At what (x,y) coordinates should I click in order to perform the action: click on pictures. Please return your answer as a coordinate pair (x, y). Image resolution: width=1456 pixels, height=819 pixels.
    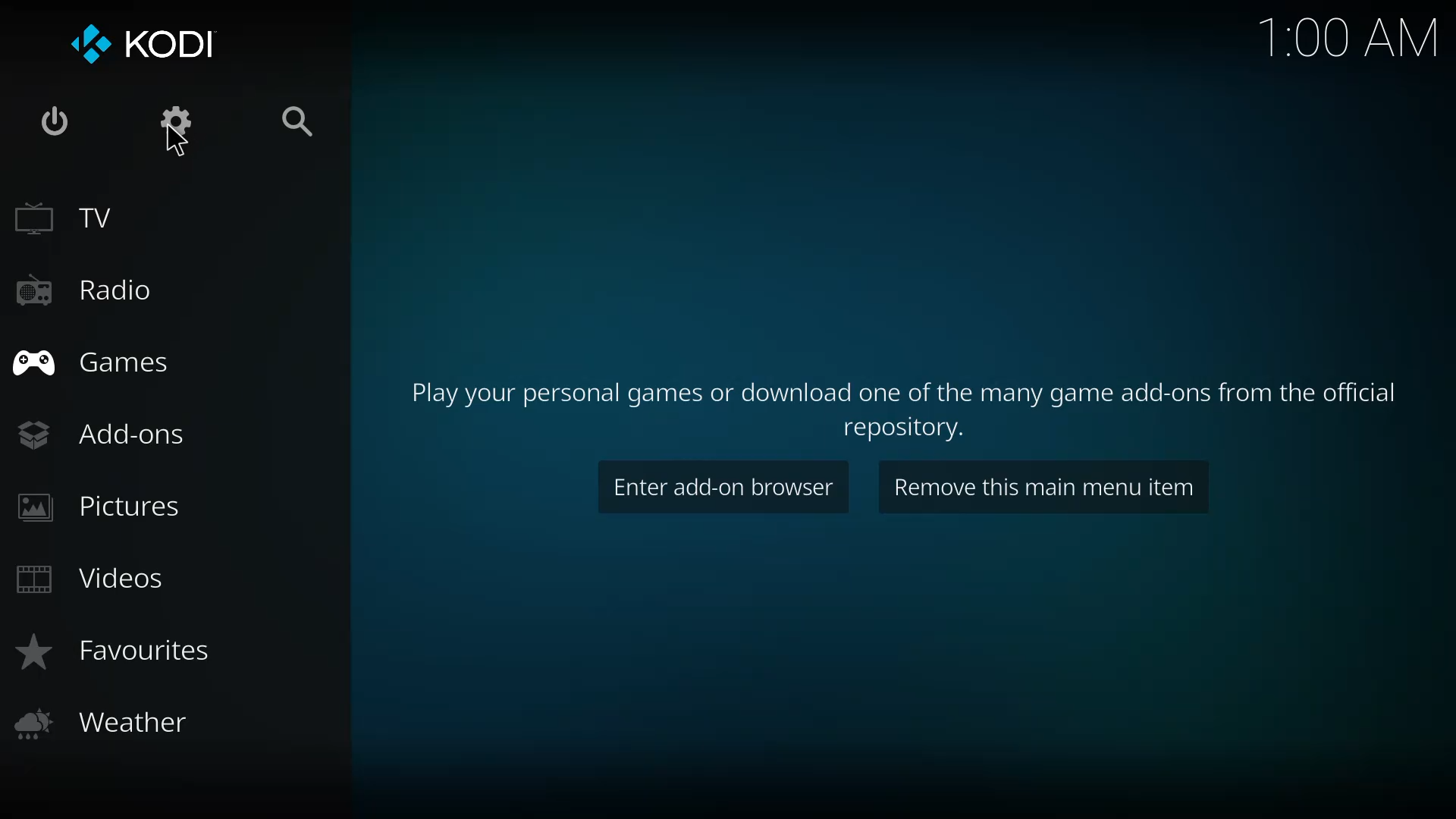
    Looking at the image, I should click on (100, 508).